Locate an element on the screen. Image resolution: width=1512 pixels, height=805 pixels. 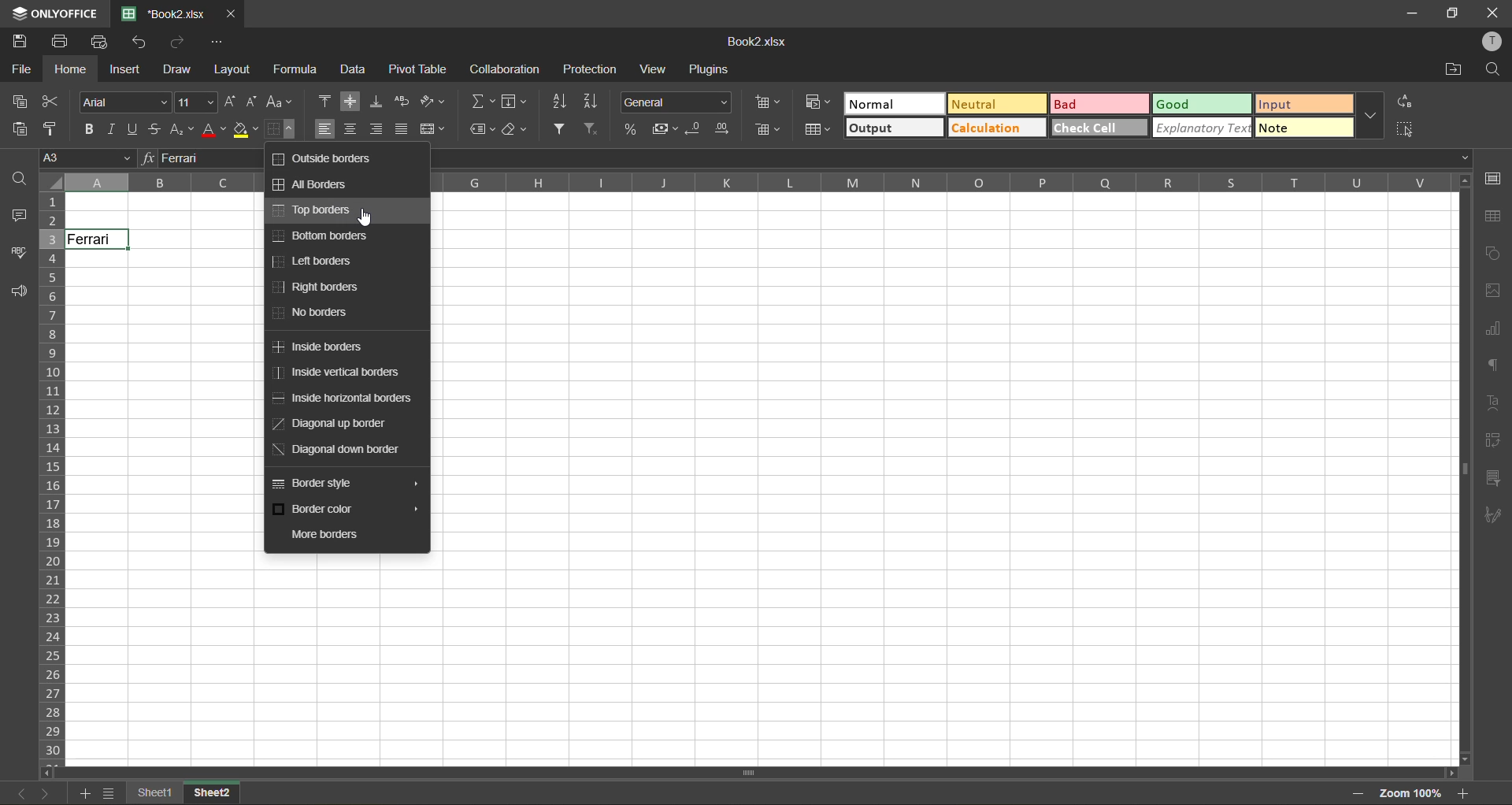
normal is located at coordinates (893, 103).